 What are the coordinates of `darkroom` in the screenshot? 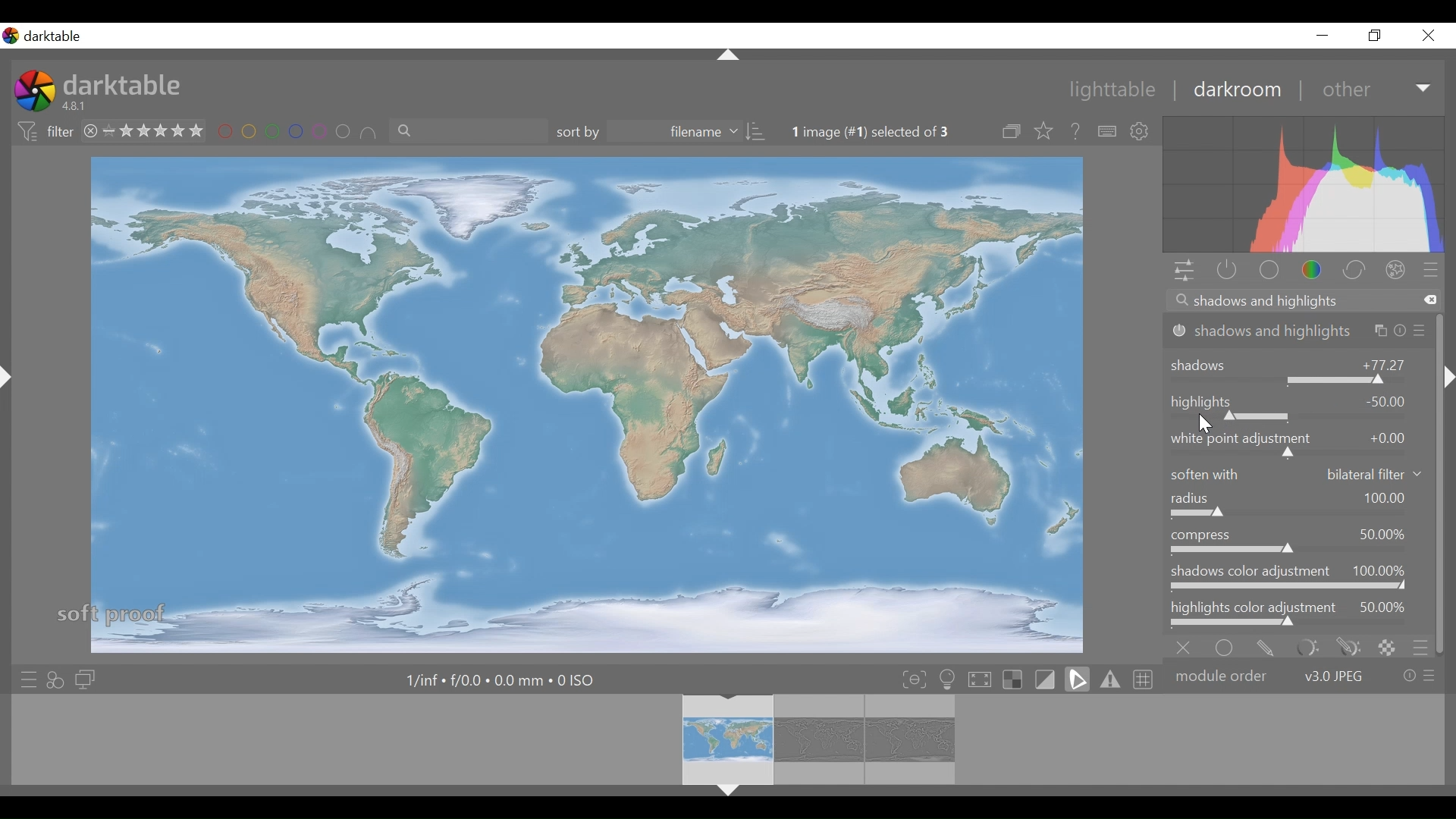 It's located at (1238, 91).